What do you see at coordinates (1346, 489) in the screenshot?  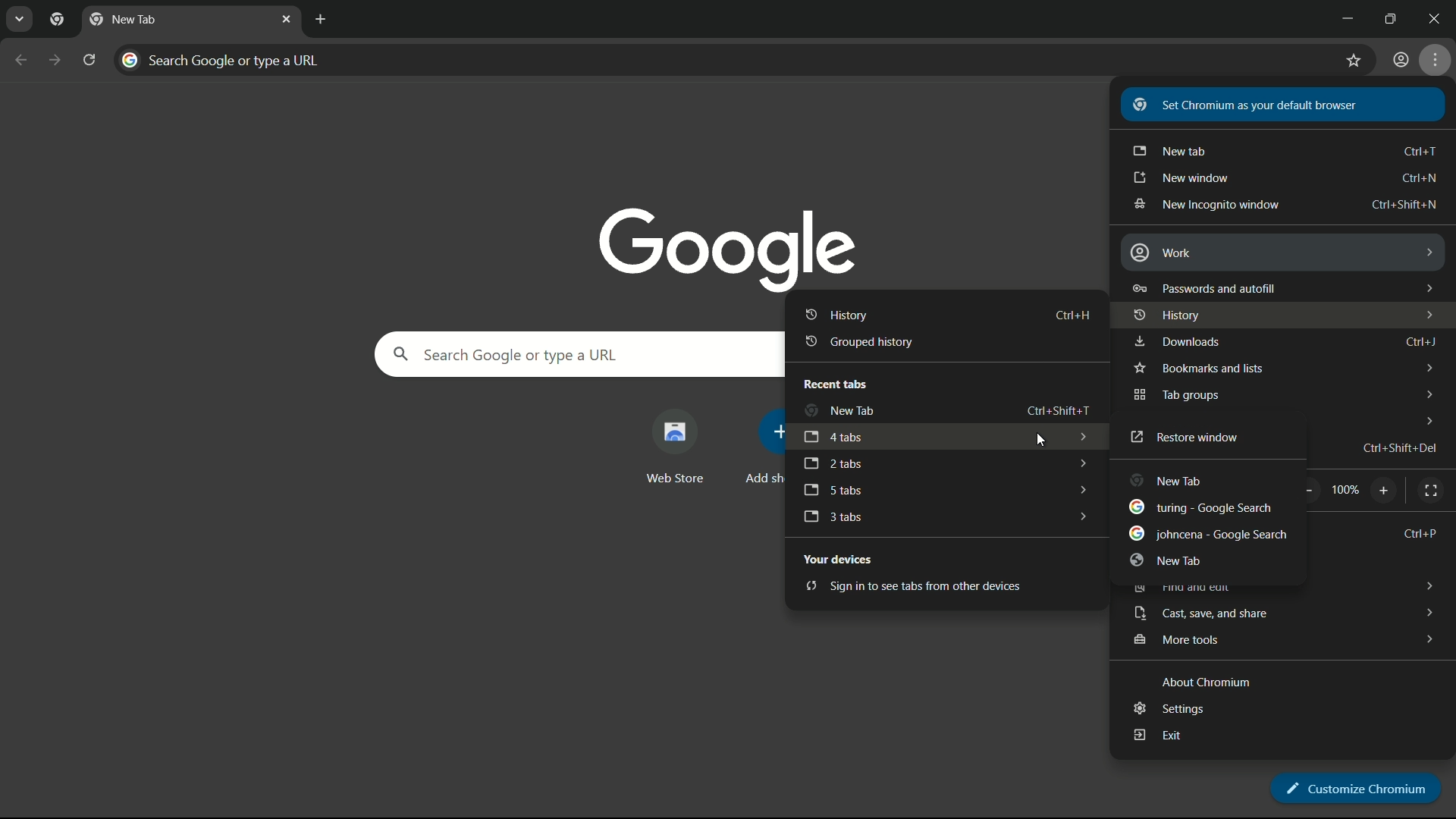 I see `scale factor` at bounding box center [1346, 489].